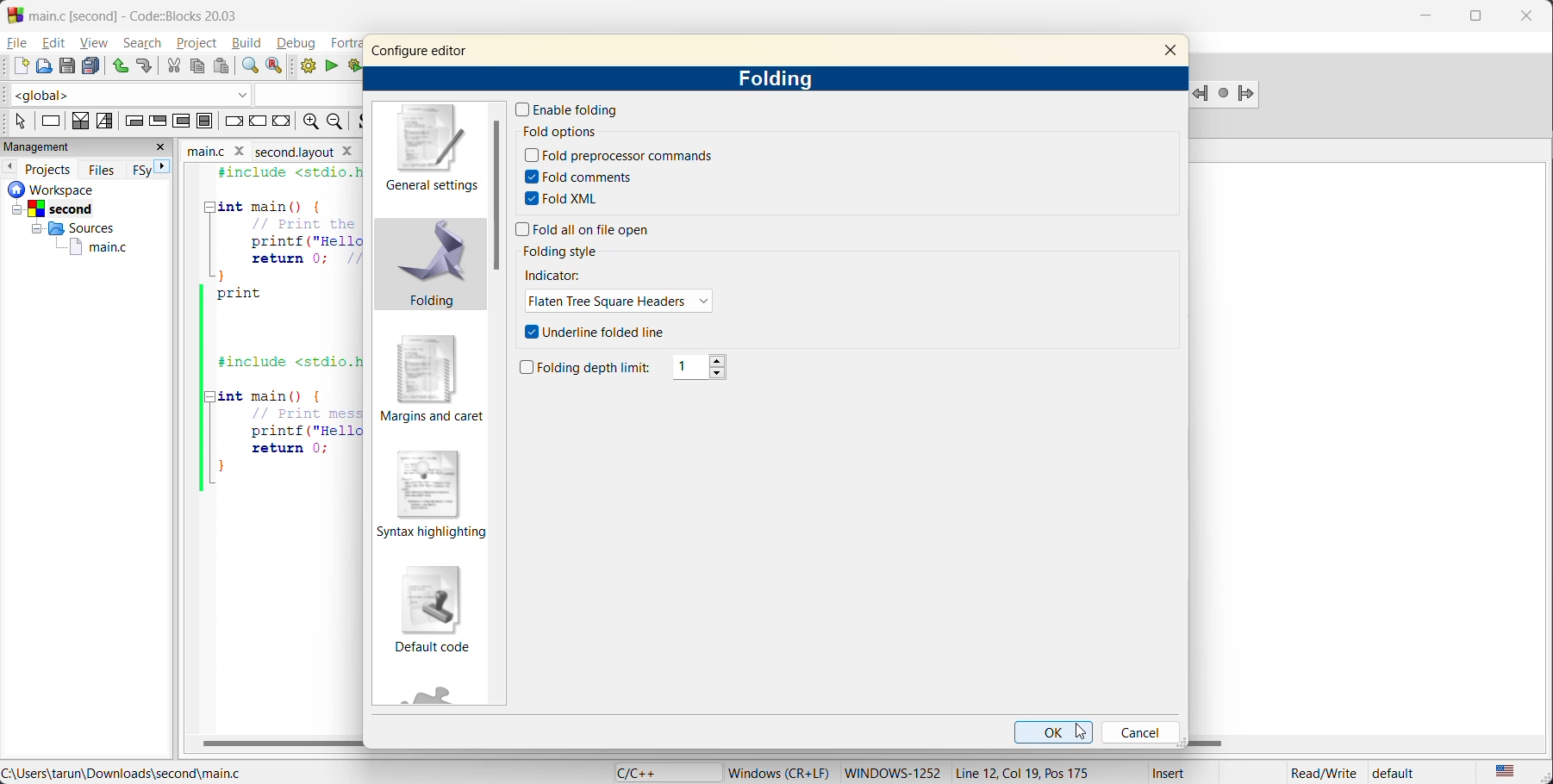 The width and height of the screenshot is (1553, 784). What do you see at coordinates (1051, 729) in the screenshot?
I see `ok` at bounding box center [1051, 729].